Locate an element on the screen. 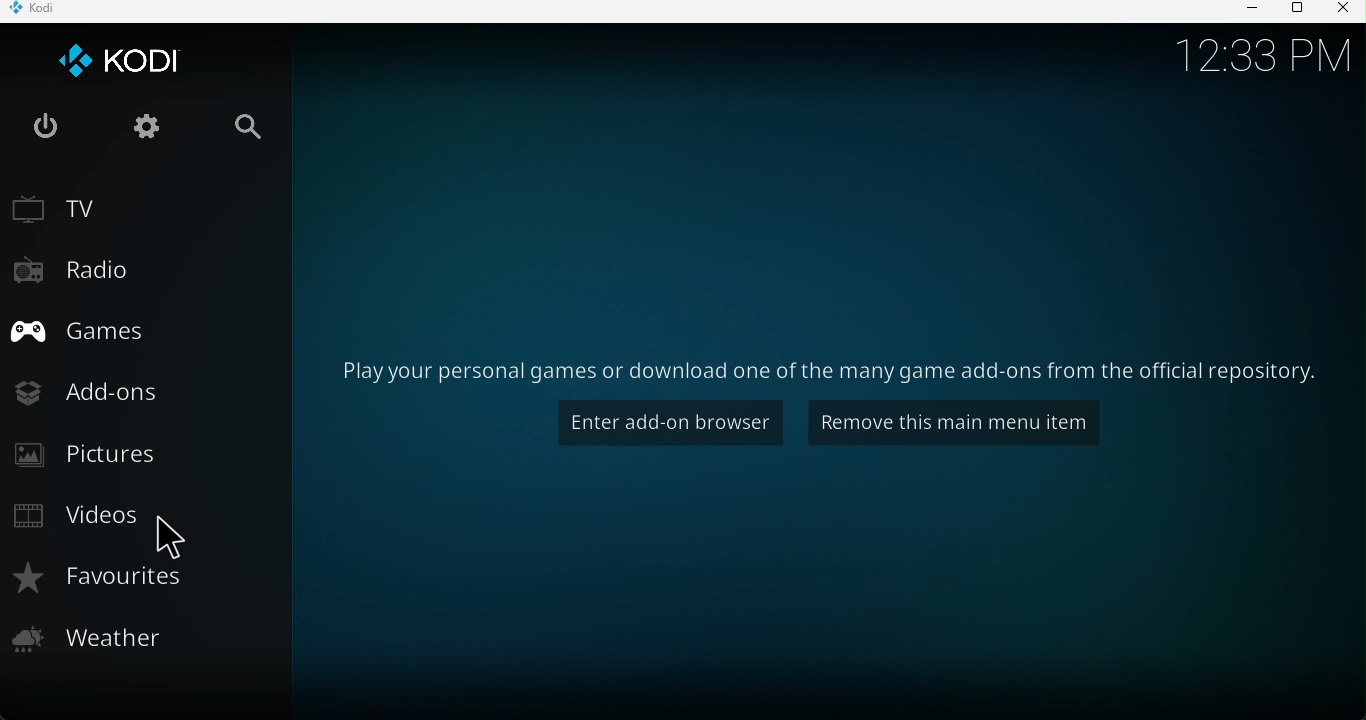 The height and width of the screenshot is (720, 1366). Add-ons is located at coordinates (97, 390).